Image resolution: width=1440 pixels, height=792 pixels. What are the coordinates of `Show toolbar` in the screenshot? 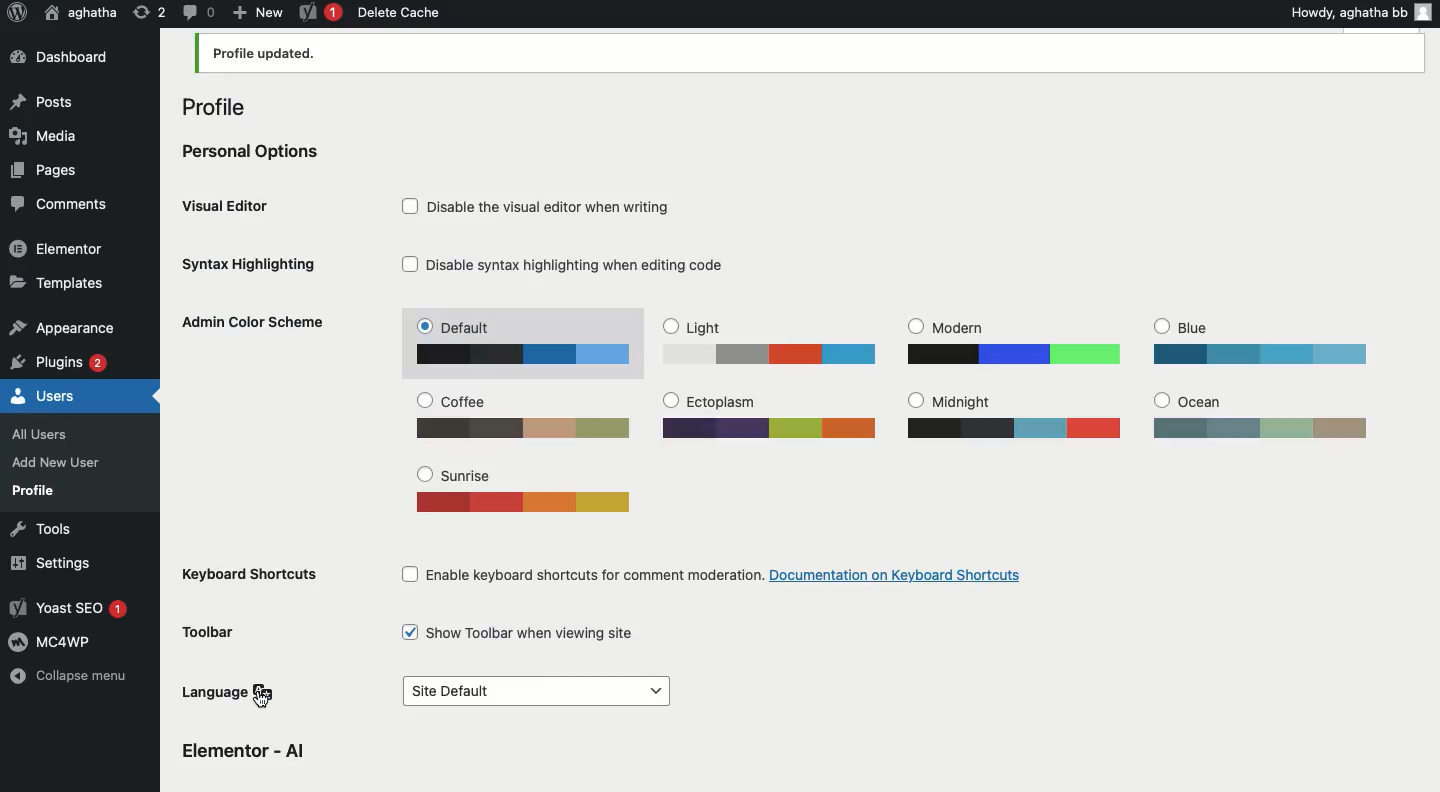 It's located at (522, 630).